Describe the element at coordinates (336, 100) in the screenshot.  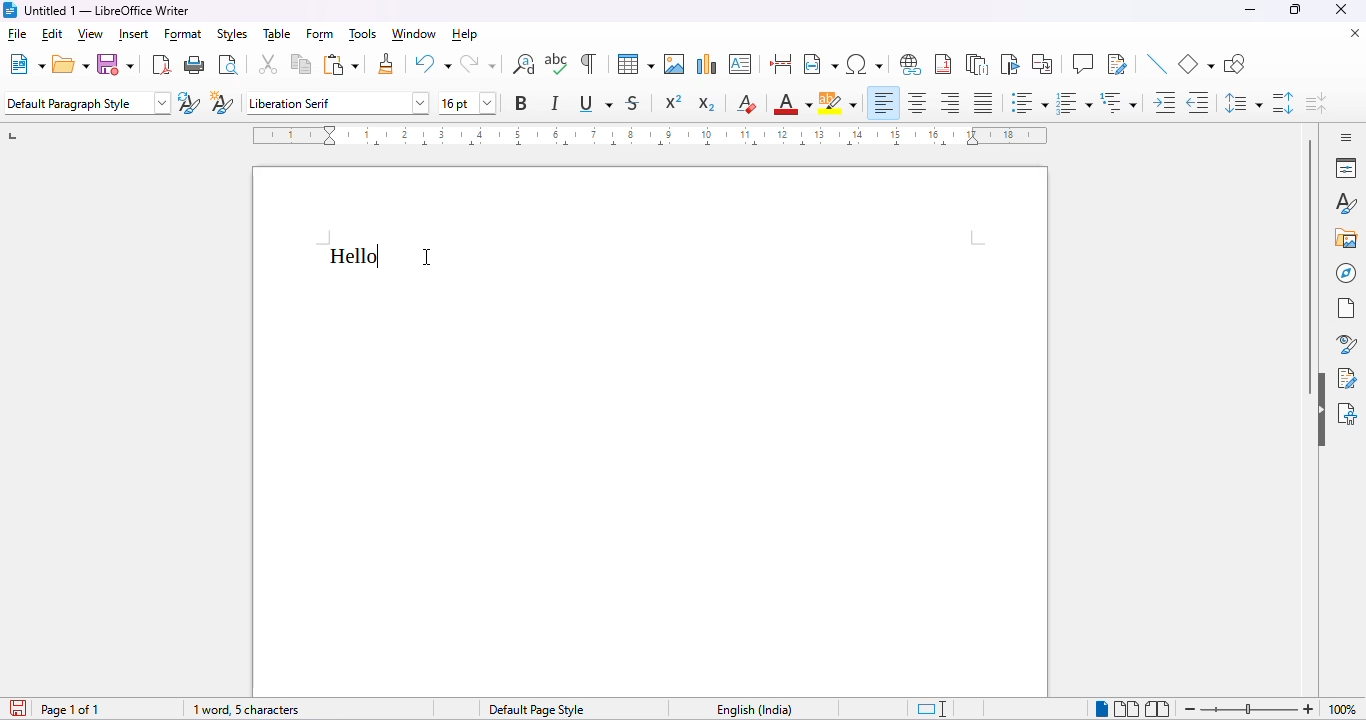
I see `Liberation Serif` at that location.